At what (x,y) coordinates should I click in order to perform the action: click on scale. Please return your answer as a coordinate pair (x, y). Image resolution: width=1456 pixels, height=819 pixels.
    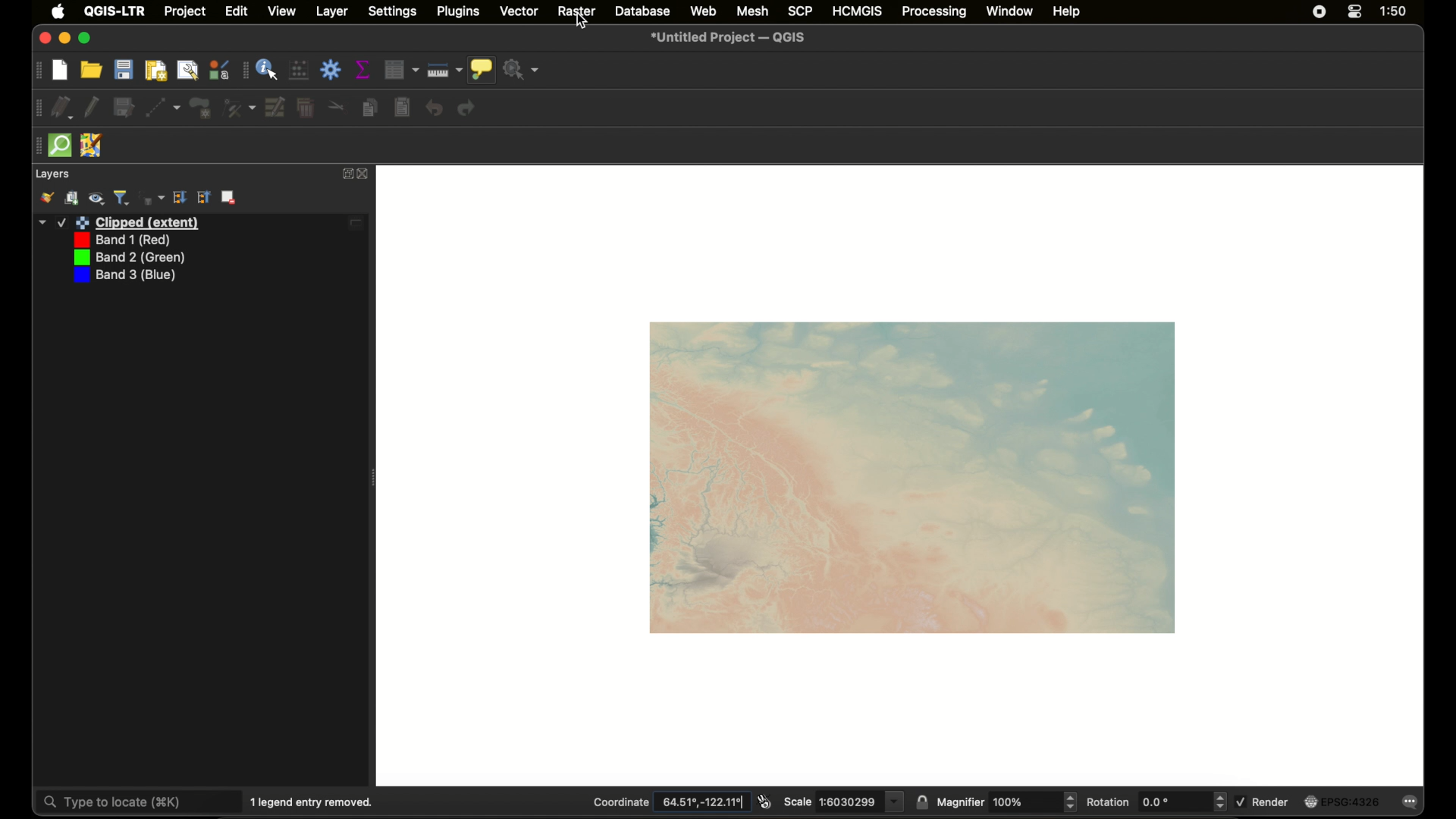
    Looking at the image, I should click on (843, 802).